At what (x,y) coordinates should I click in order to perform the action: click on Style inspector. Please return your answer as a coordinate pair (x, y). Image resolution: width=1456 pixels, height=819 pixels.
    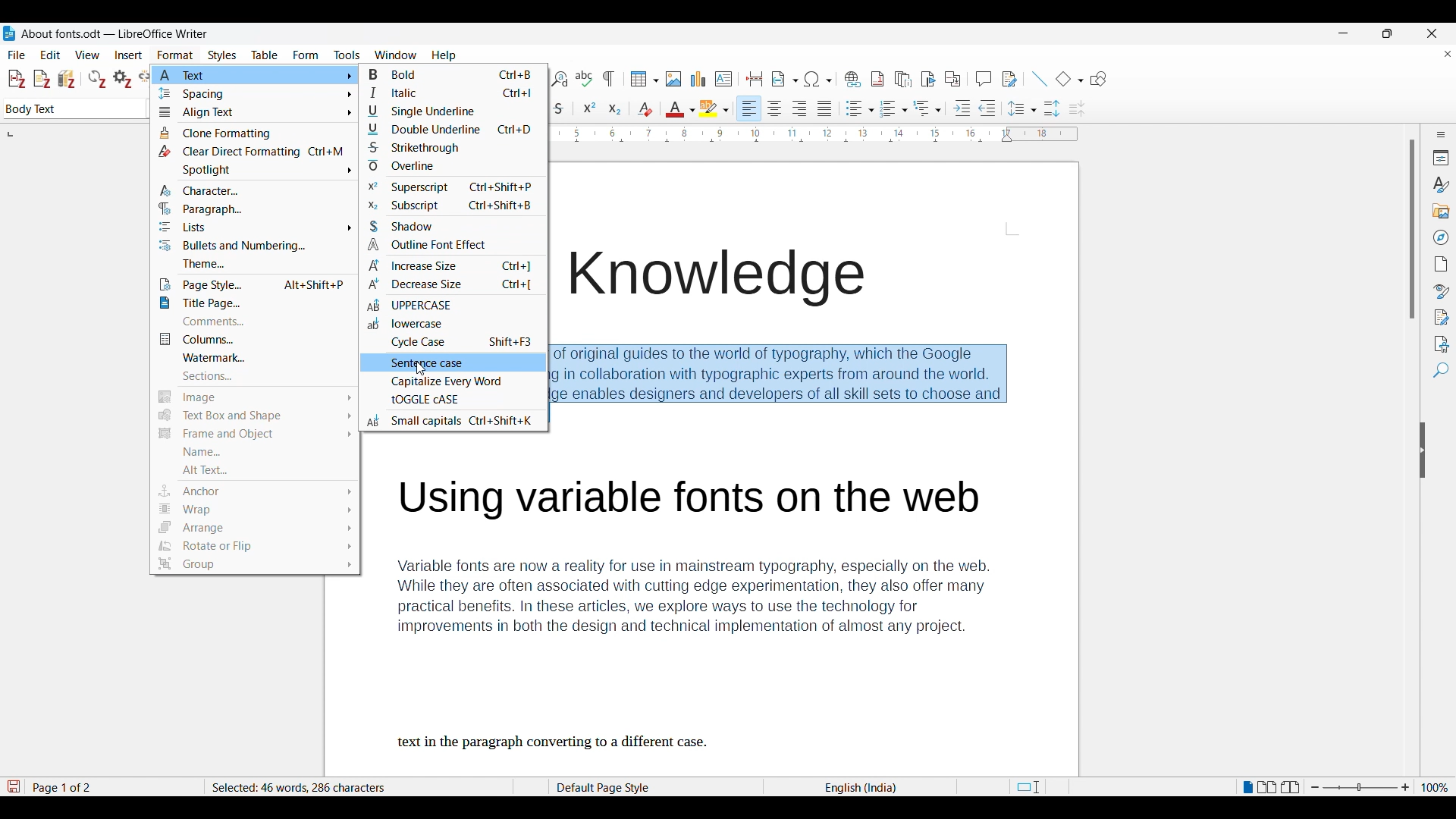
    Looking at the image, I should click on (1441, 291).